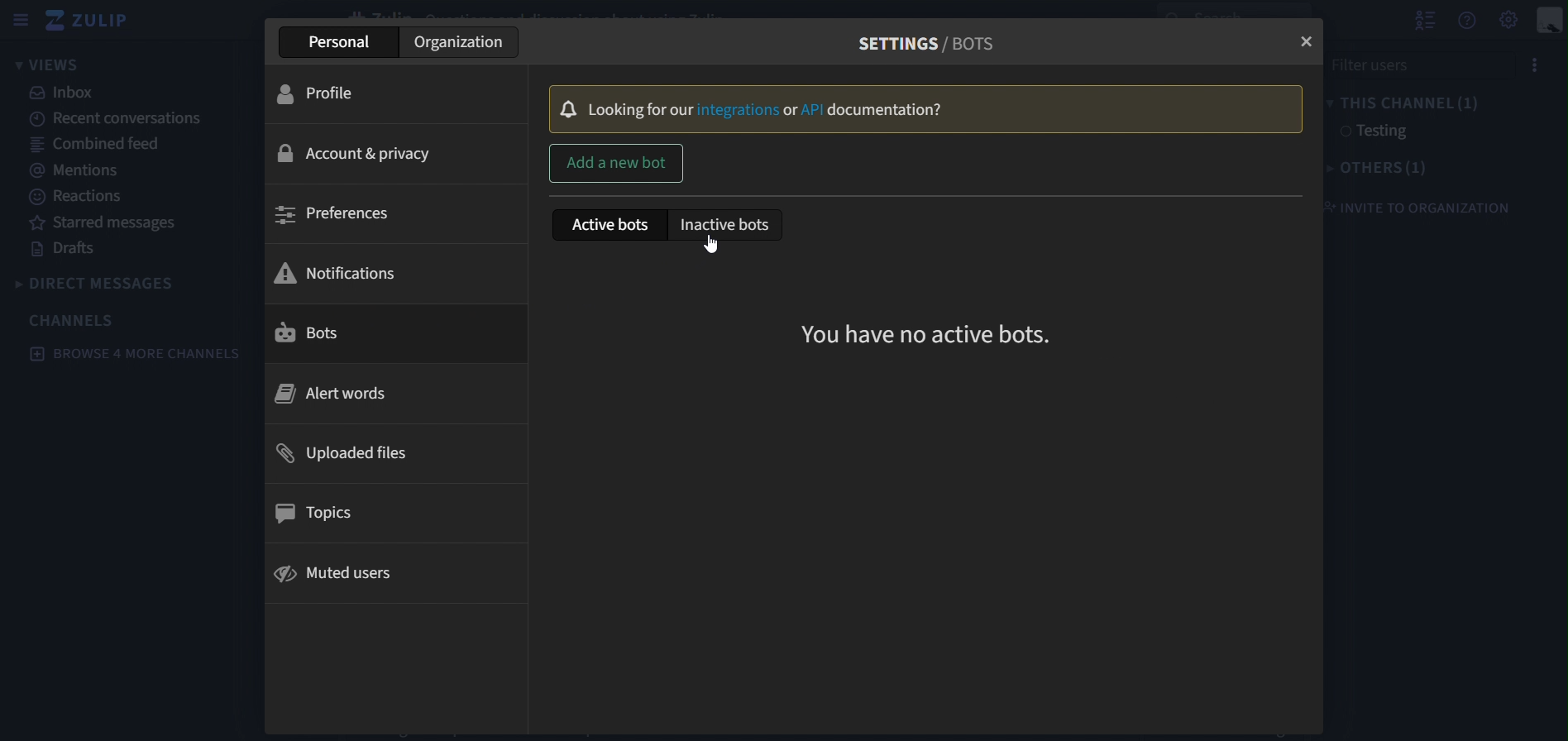  I want to click on bots, so click(318, 334).